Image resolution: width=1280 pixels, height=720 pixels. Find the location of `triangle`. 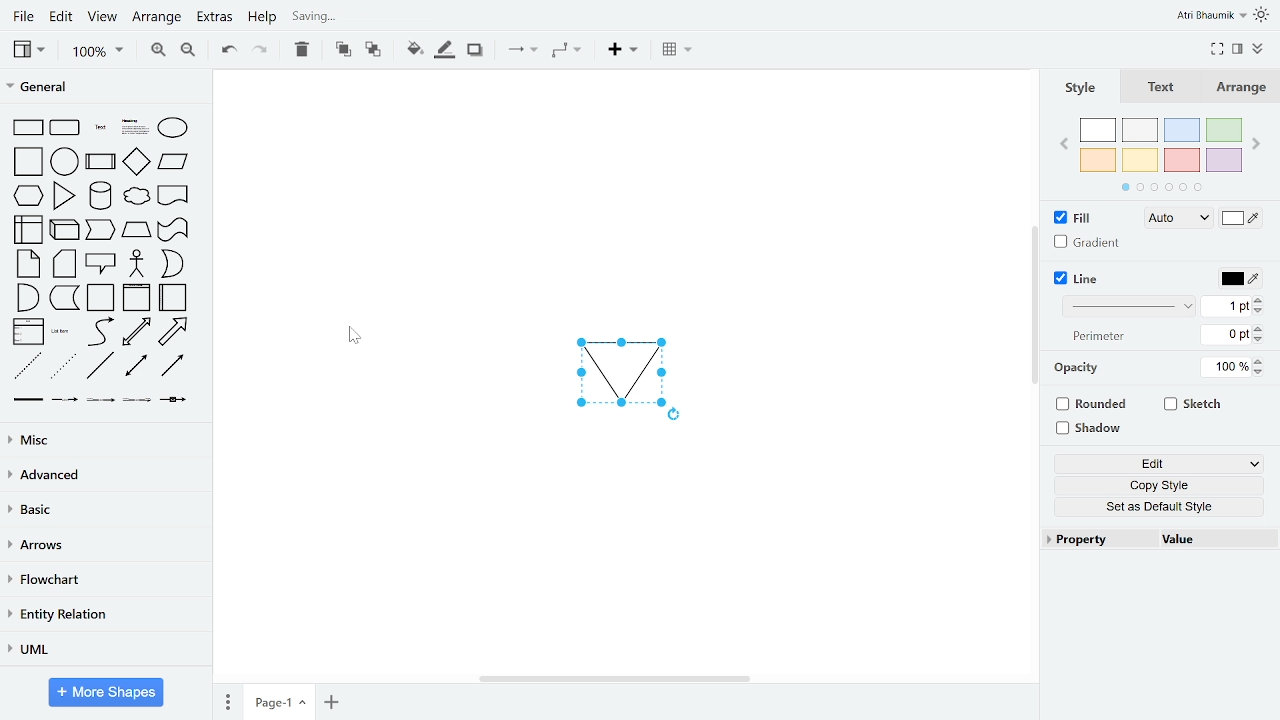

triangle is located at coordinates (66, 195).